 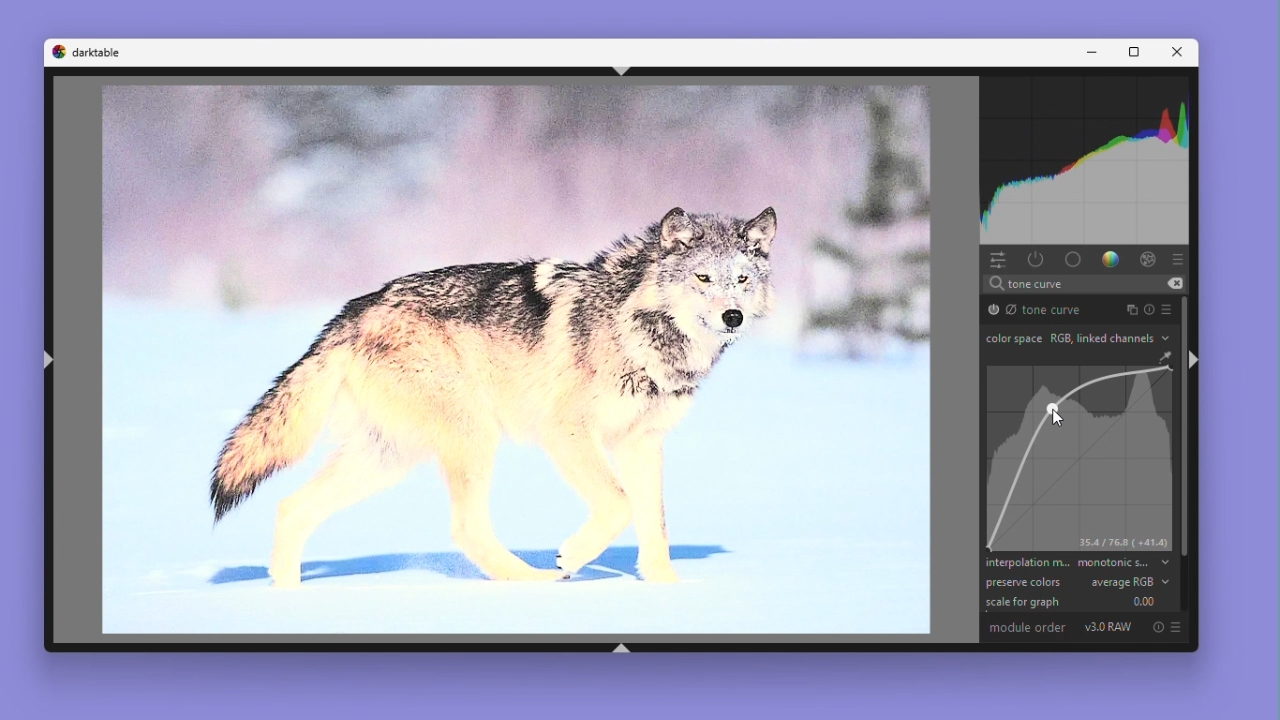 What do you see at coordinates (998, 259) in the screenshot?
I see `Quick access panel` at bounding box center [998, 259].